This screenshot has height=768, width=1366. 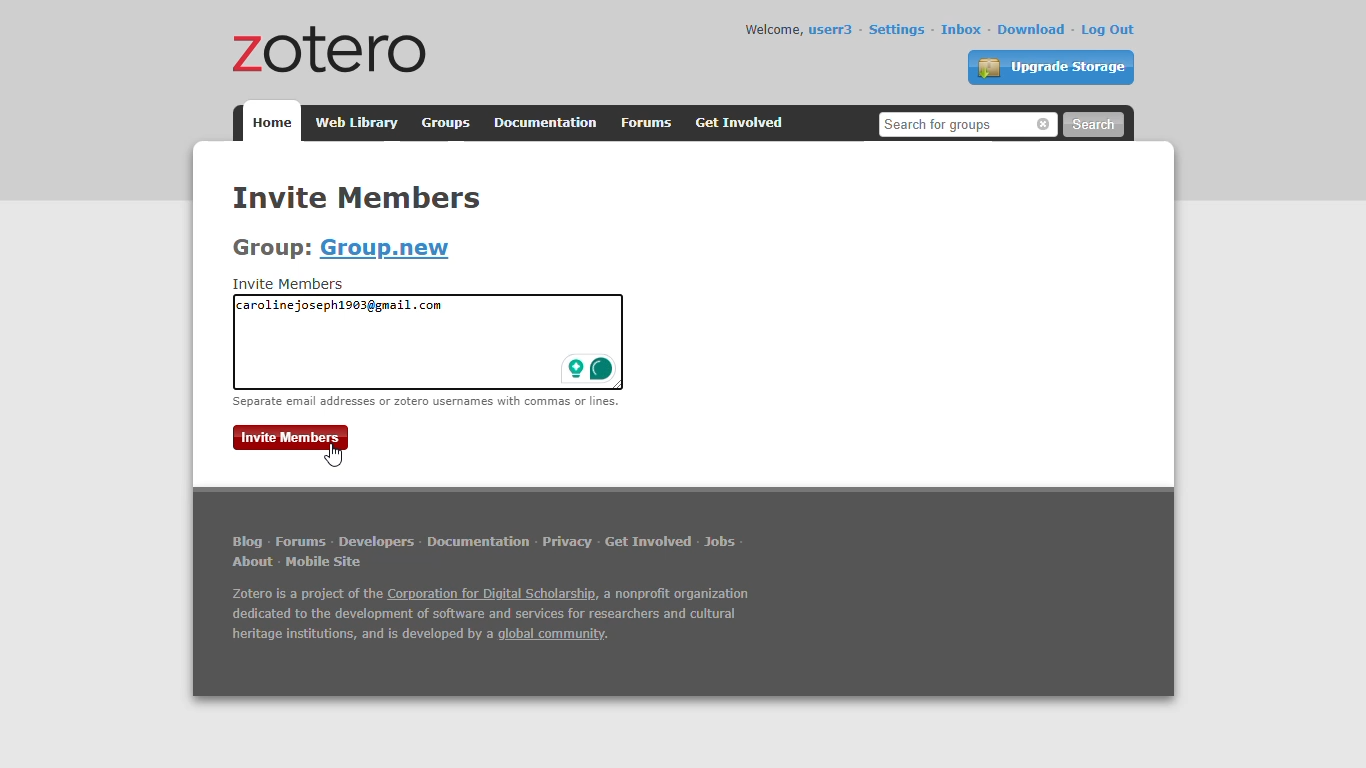 What do you see at coordinates (1108, 30) in the screenshot?
I see `log out` at bounding box center [1108, 30].